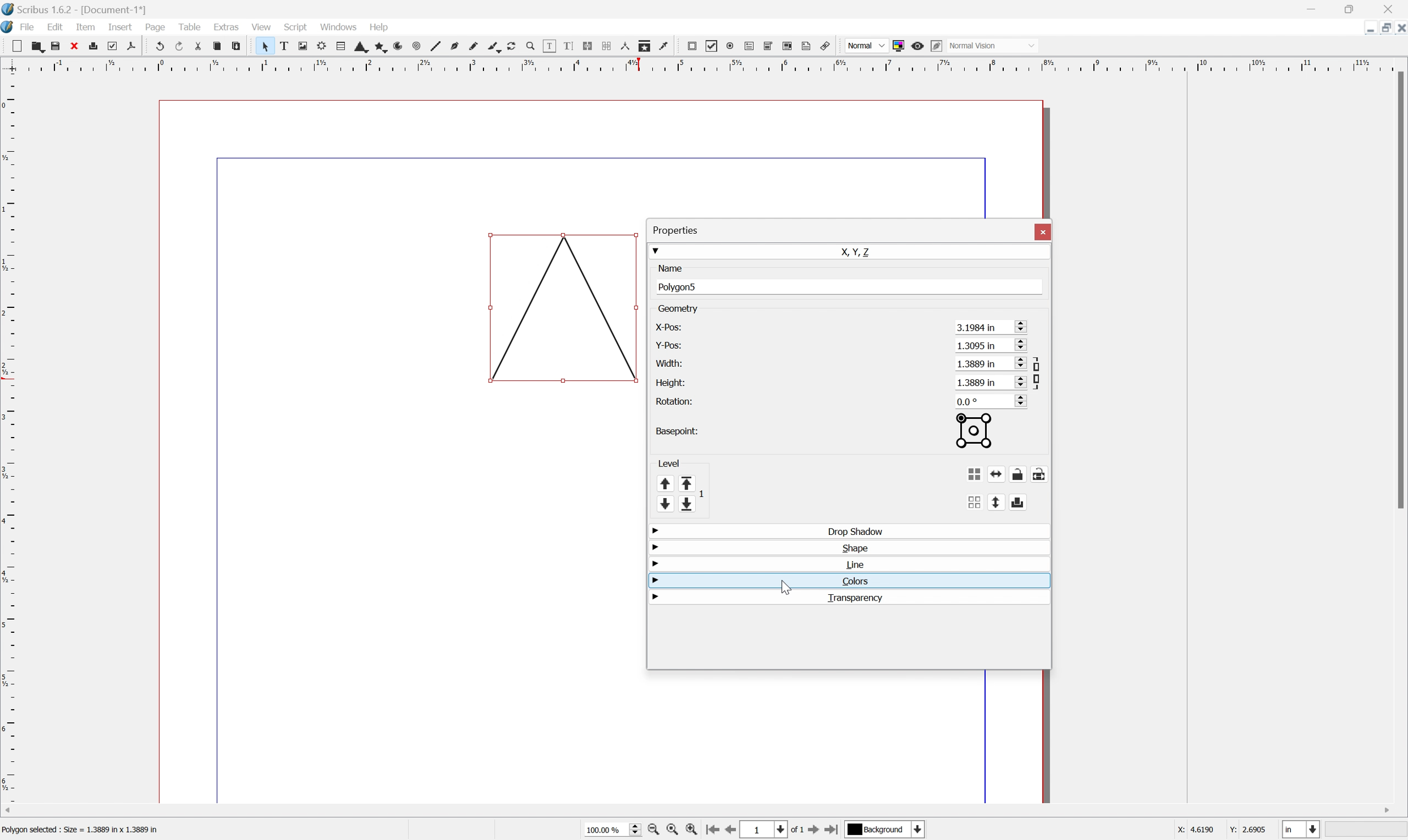 This screenshot has height=840, width=1408. What do you see at coordinates (190, 27) in the screenshot?
I see `Table` at bounding box center [190, 27].